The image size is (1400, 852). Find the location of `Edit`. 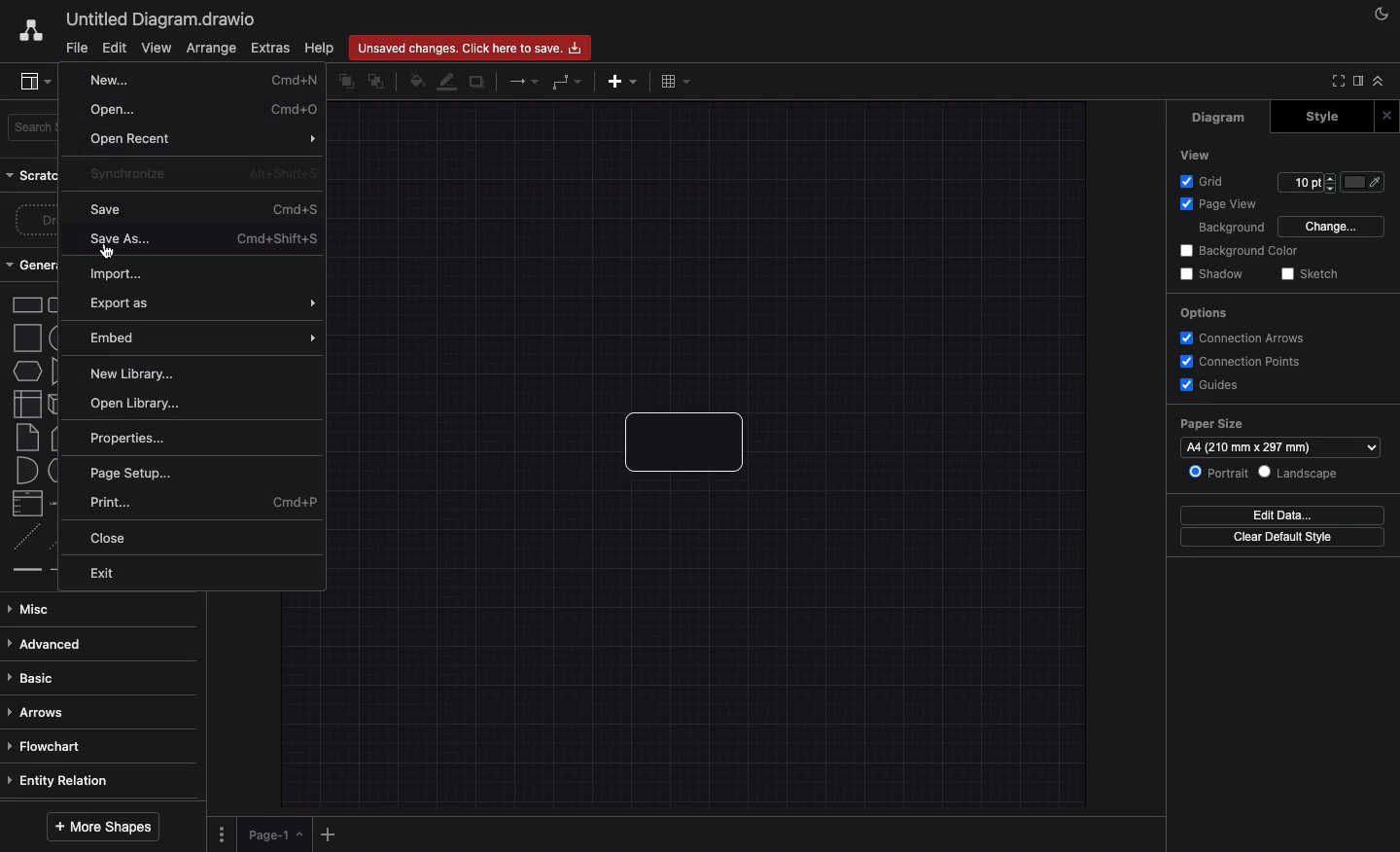

Edit is located at coordinates (112, 49).